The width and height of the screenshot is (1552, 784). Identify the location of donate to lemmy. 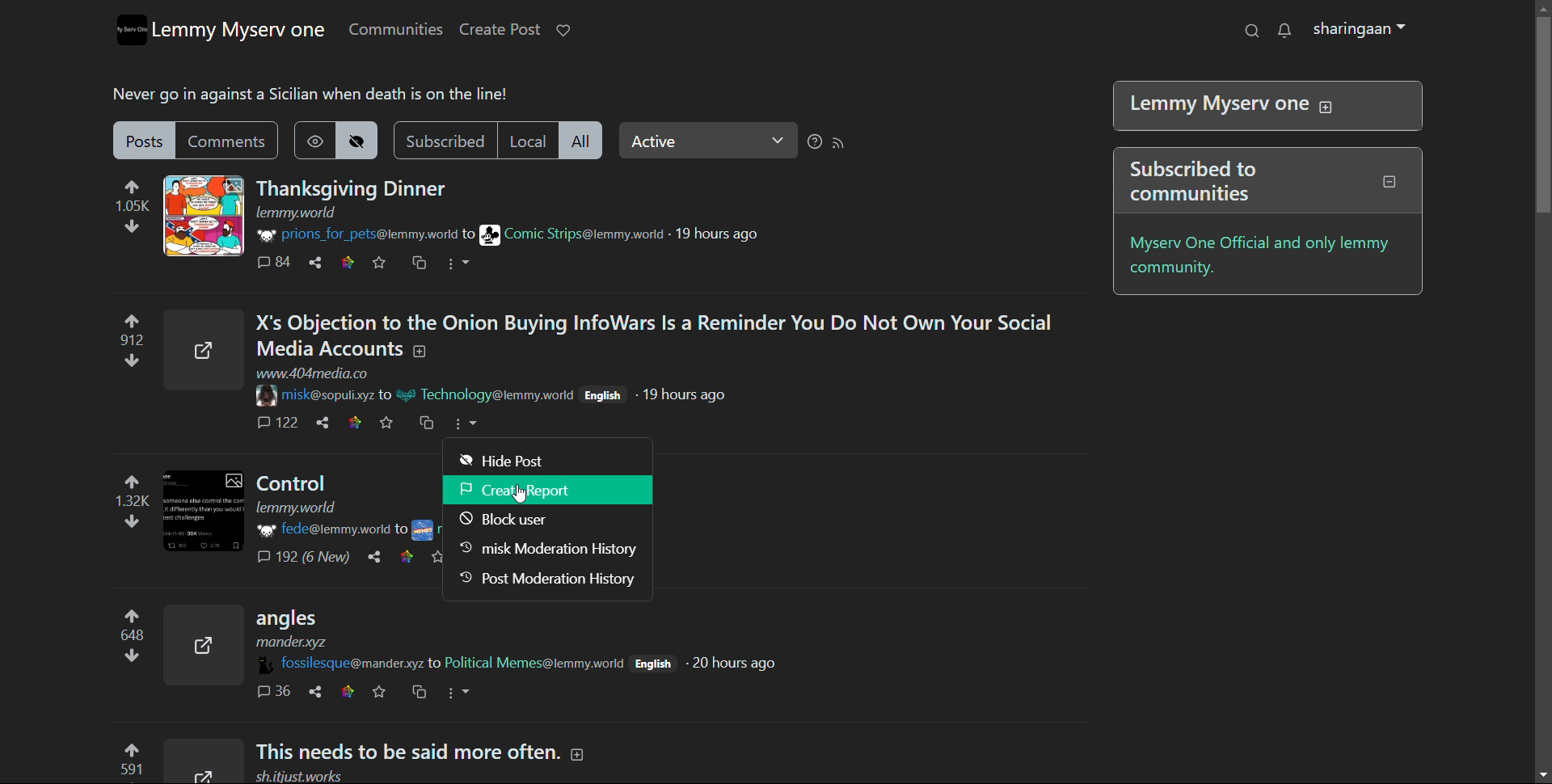
(563, 31).